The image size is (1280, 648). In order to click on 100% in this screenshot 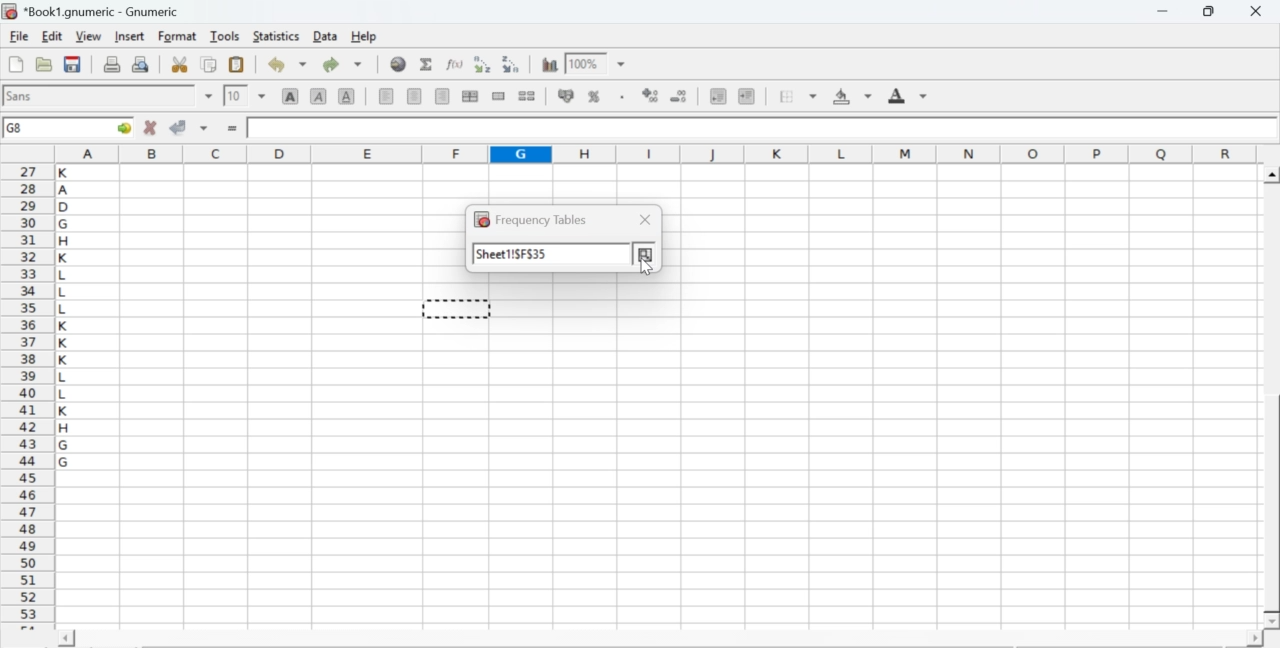, I will do `click(583, 63)`.